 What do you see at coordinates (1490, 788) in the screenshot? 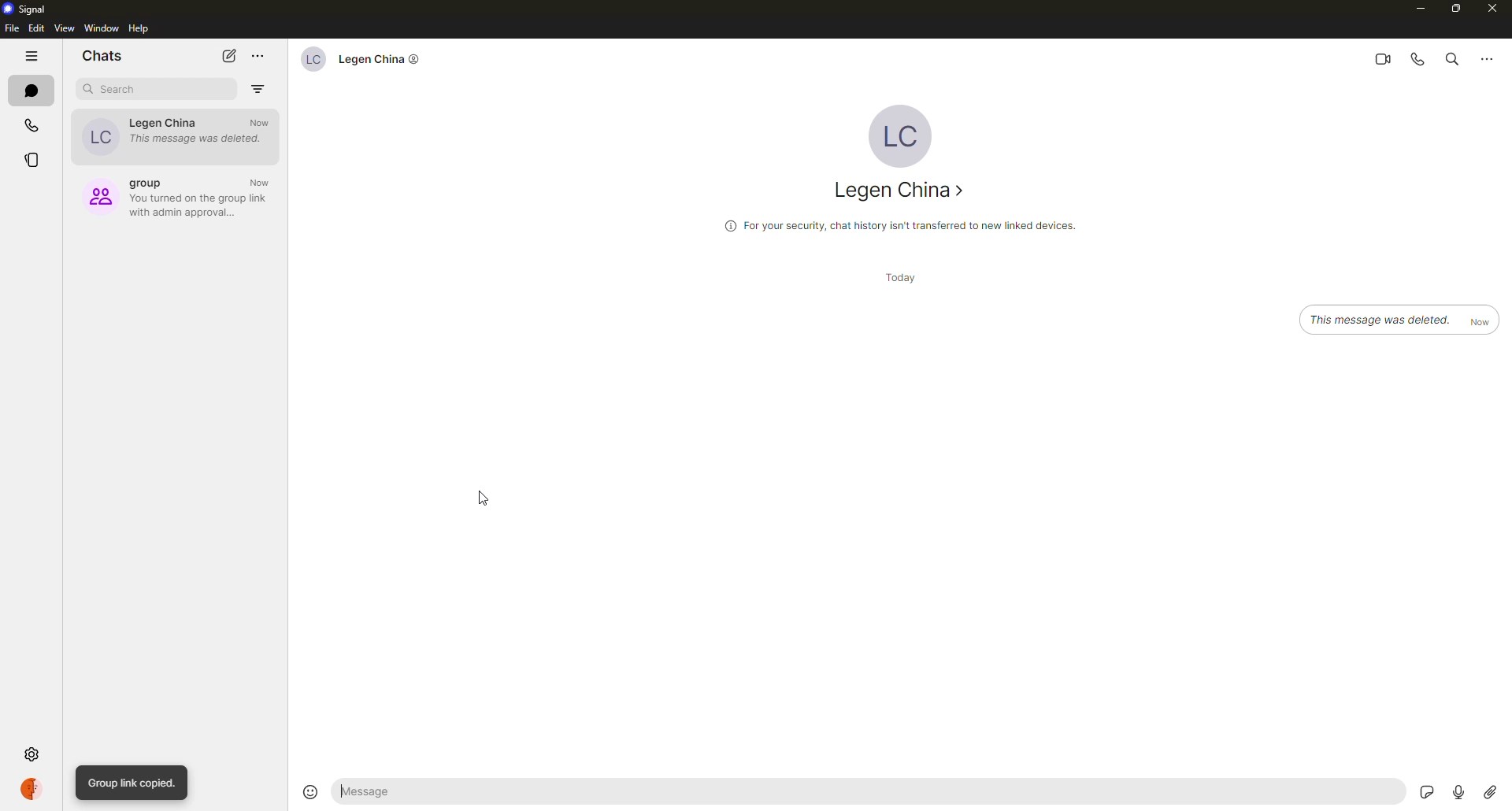
I see `attach` at bounding box center [1490, 788].